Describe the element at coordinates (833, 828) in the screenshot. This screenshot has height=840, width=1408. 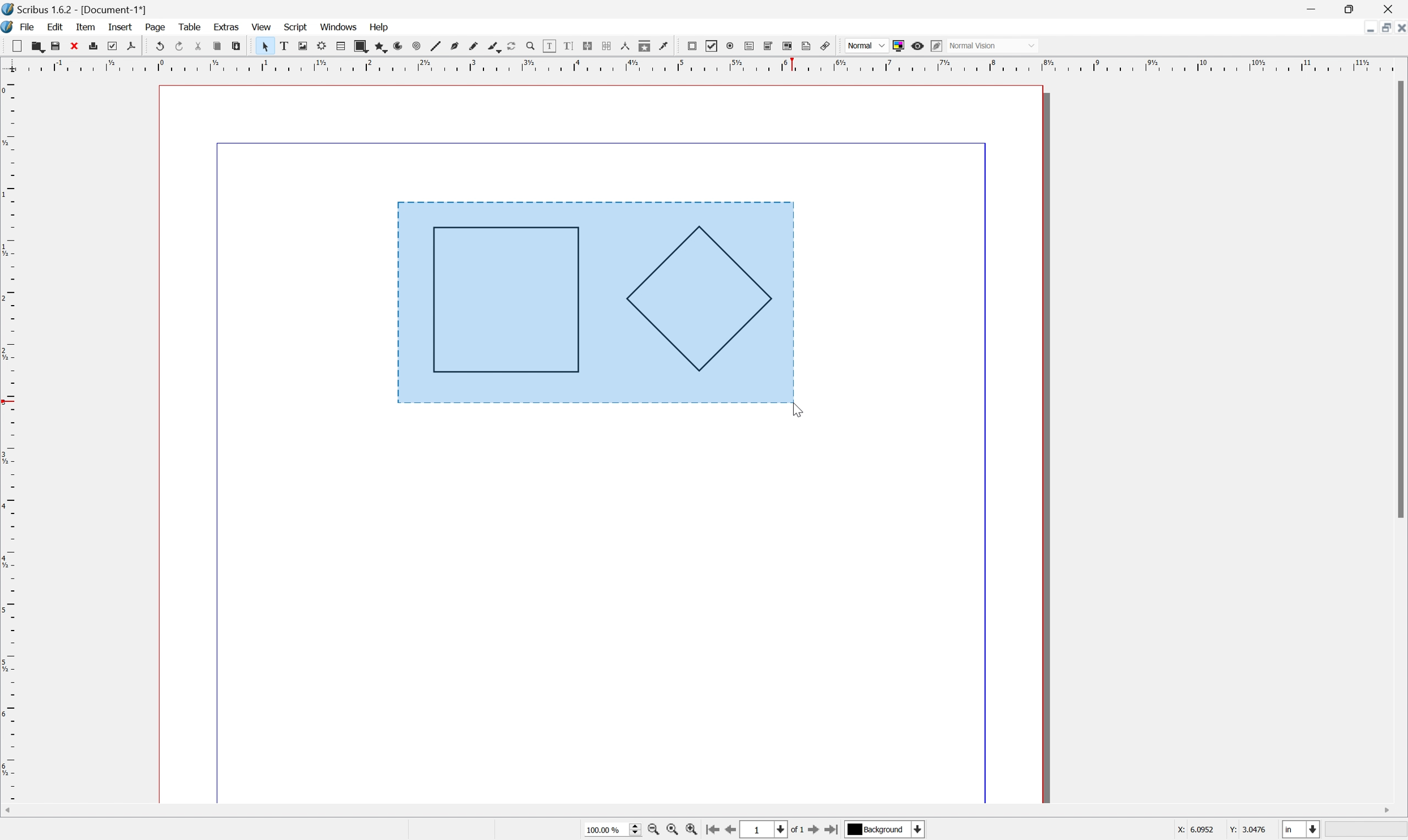
I see `Go to last page` at that location.